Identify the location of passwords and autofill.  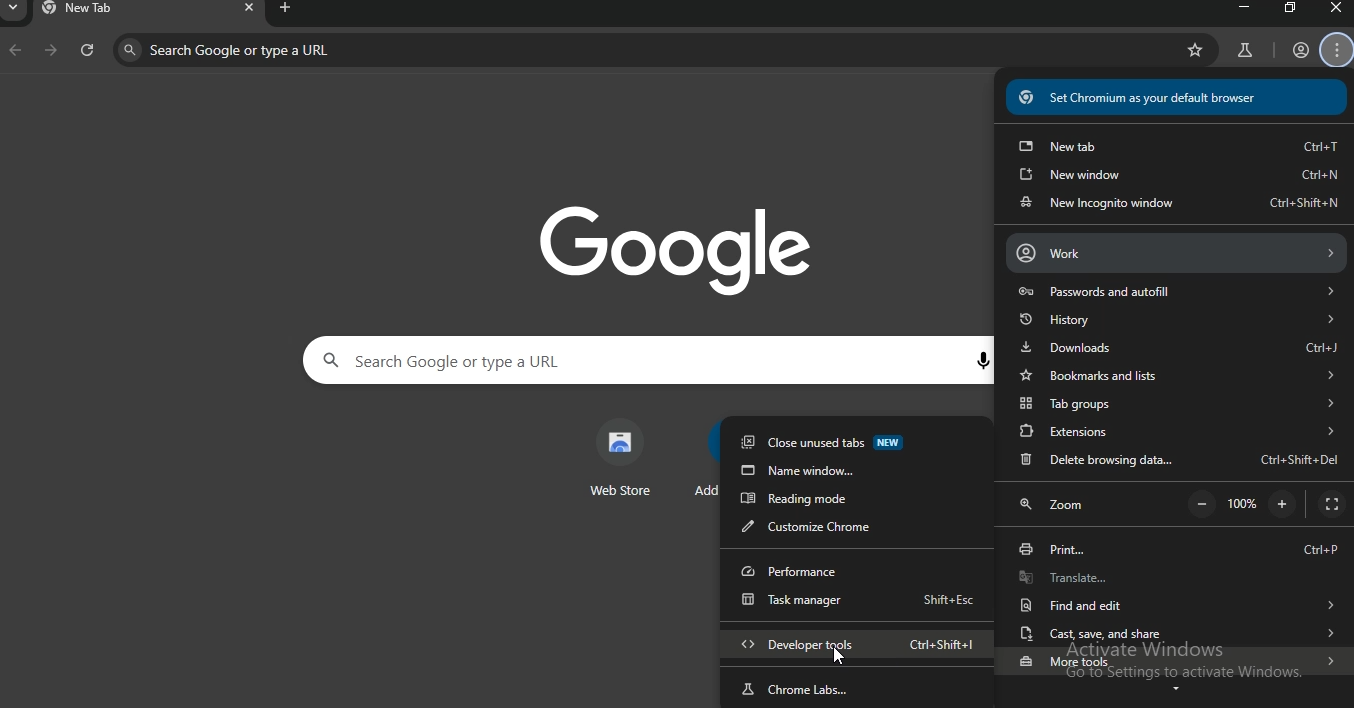
(1172, 293).